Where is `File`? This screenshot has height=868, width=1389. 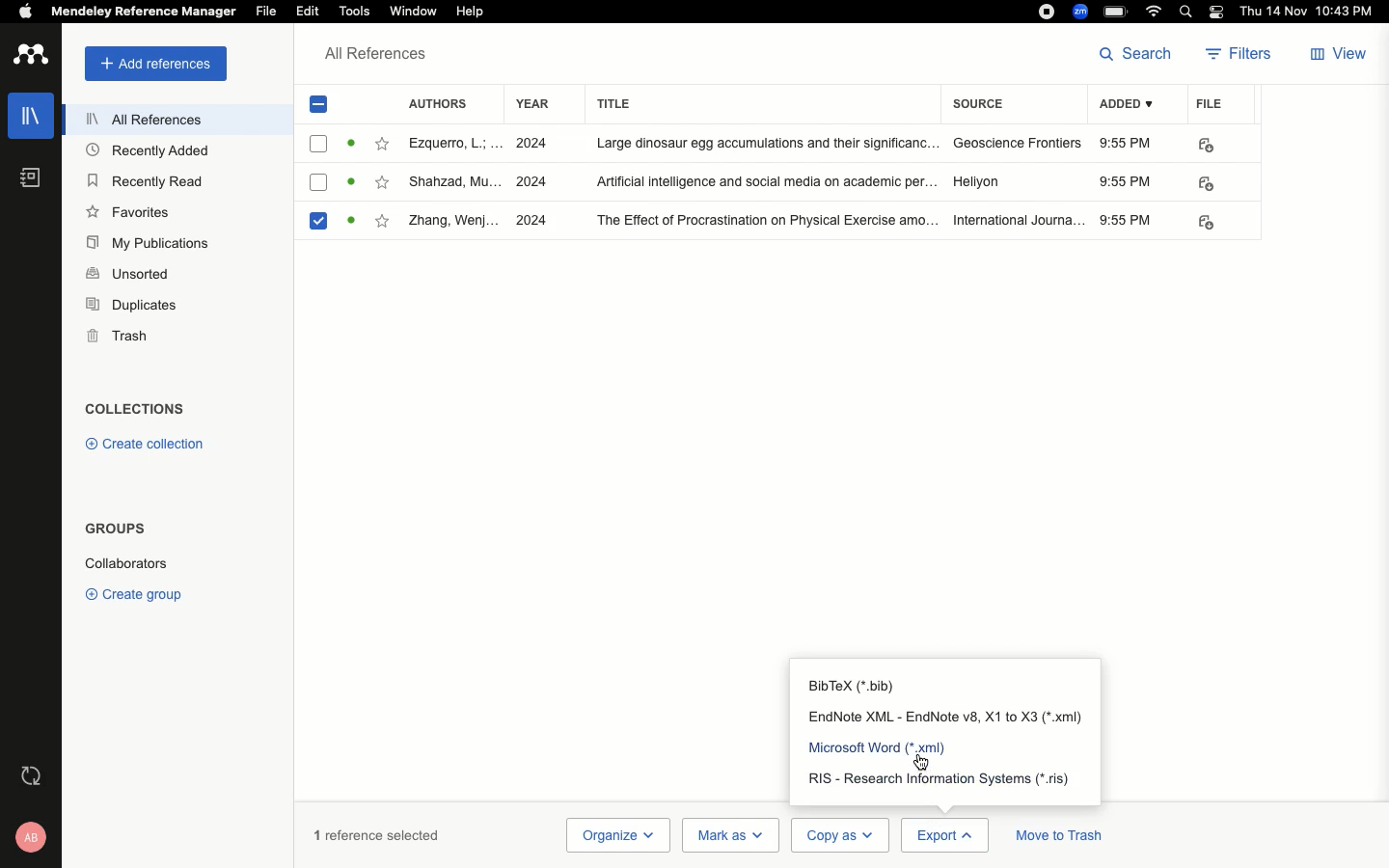 File is located at coordinates (1210, 102).